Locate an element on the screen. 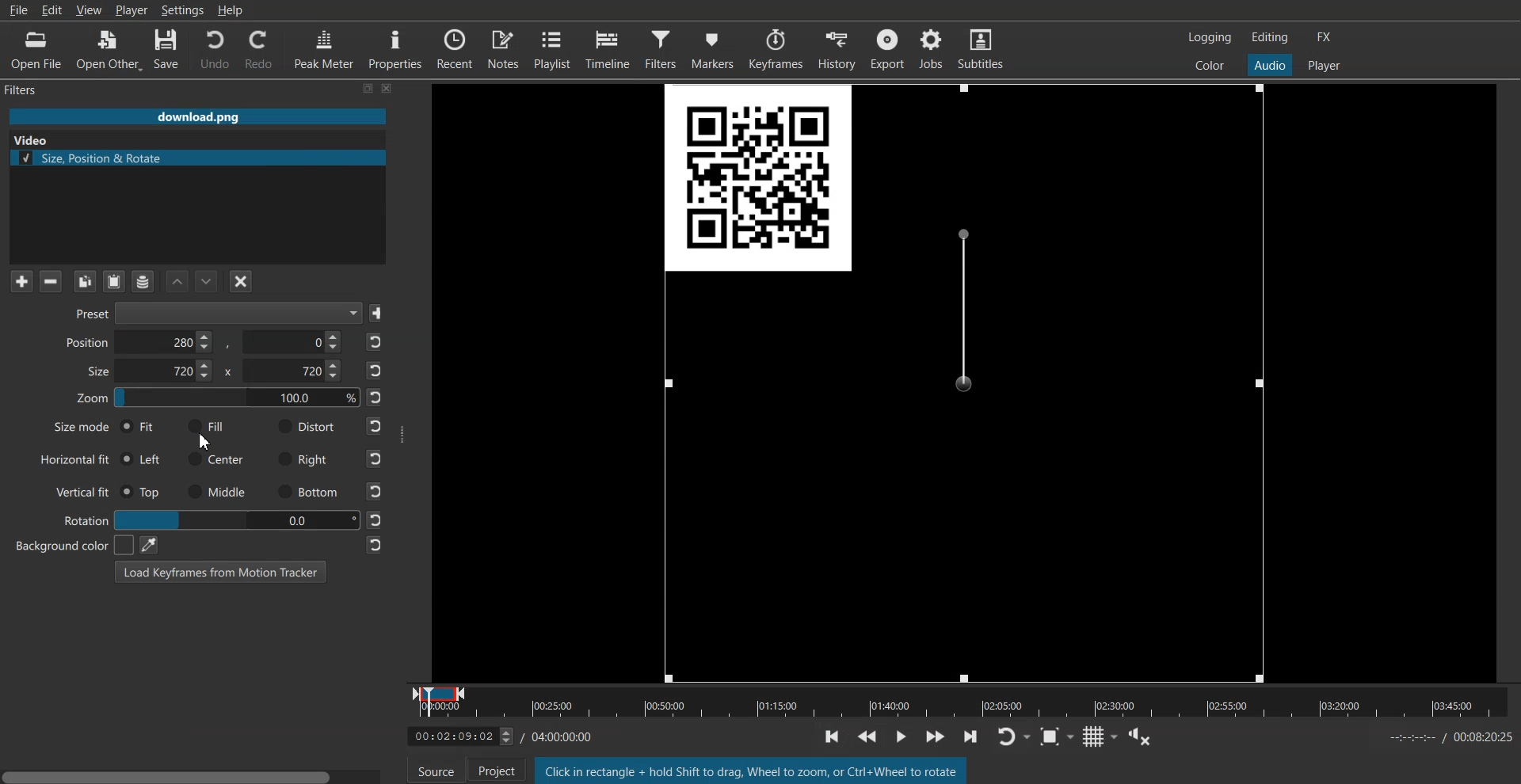 This screenshot has height=784, width=1521. Text 1 is located at coordinates (29, 90).